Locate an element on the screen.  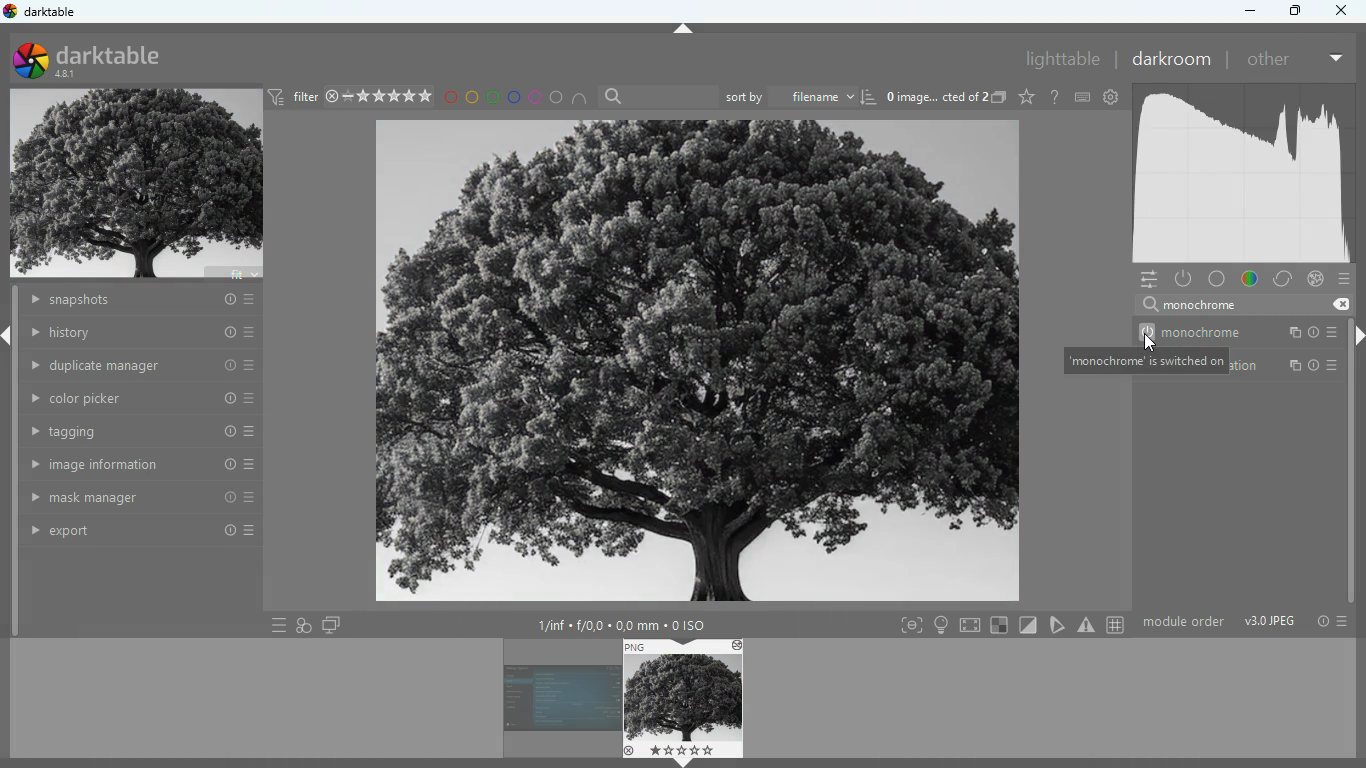
keyboard is located at coordinates (1082, 98).